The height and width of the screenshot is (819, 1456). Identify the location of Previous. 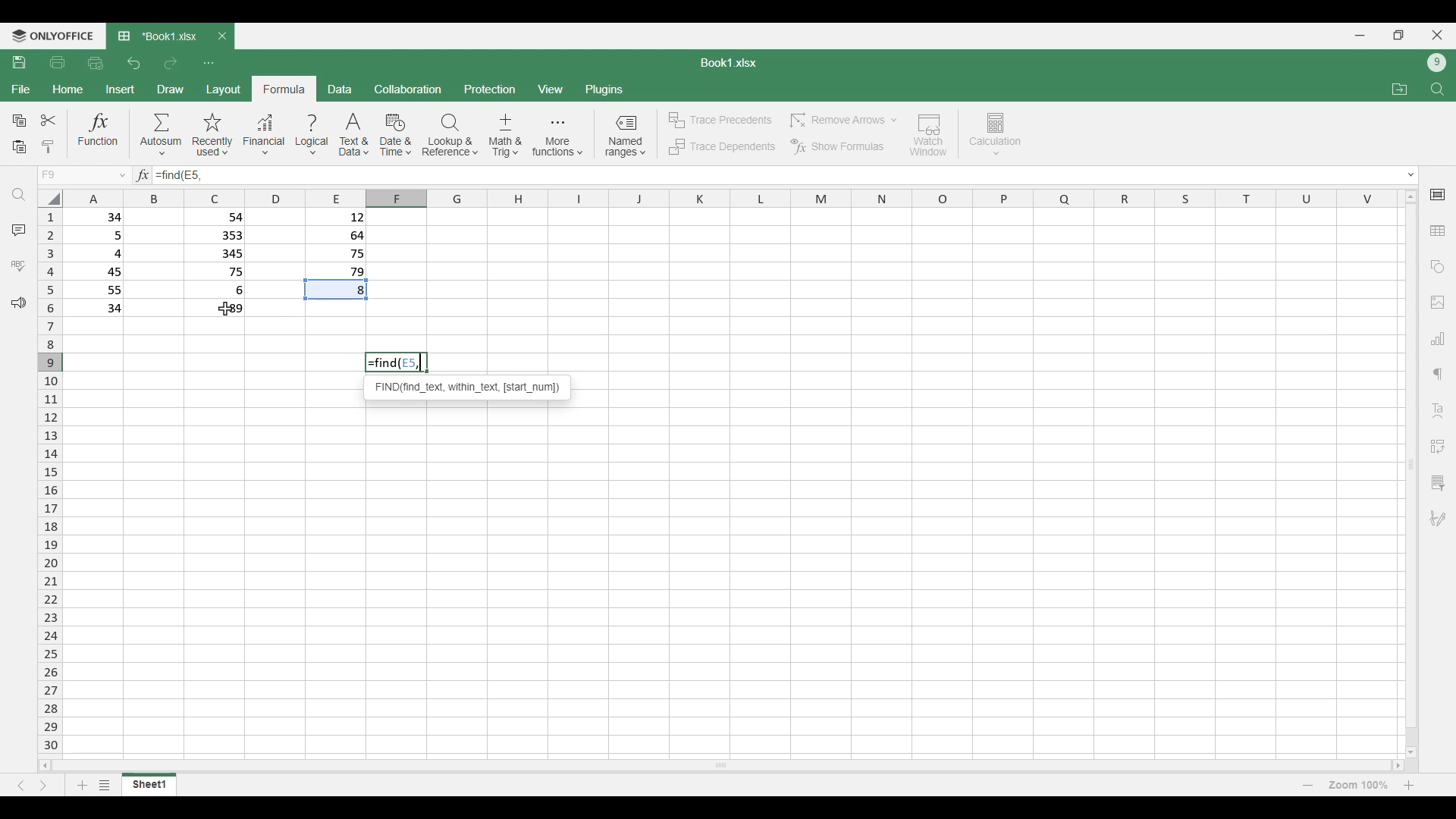
(20, 786).